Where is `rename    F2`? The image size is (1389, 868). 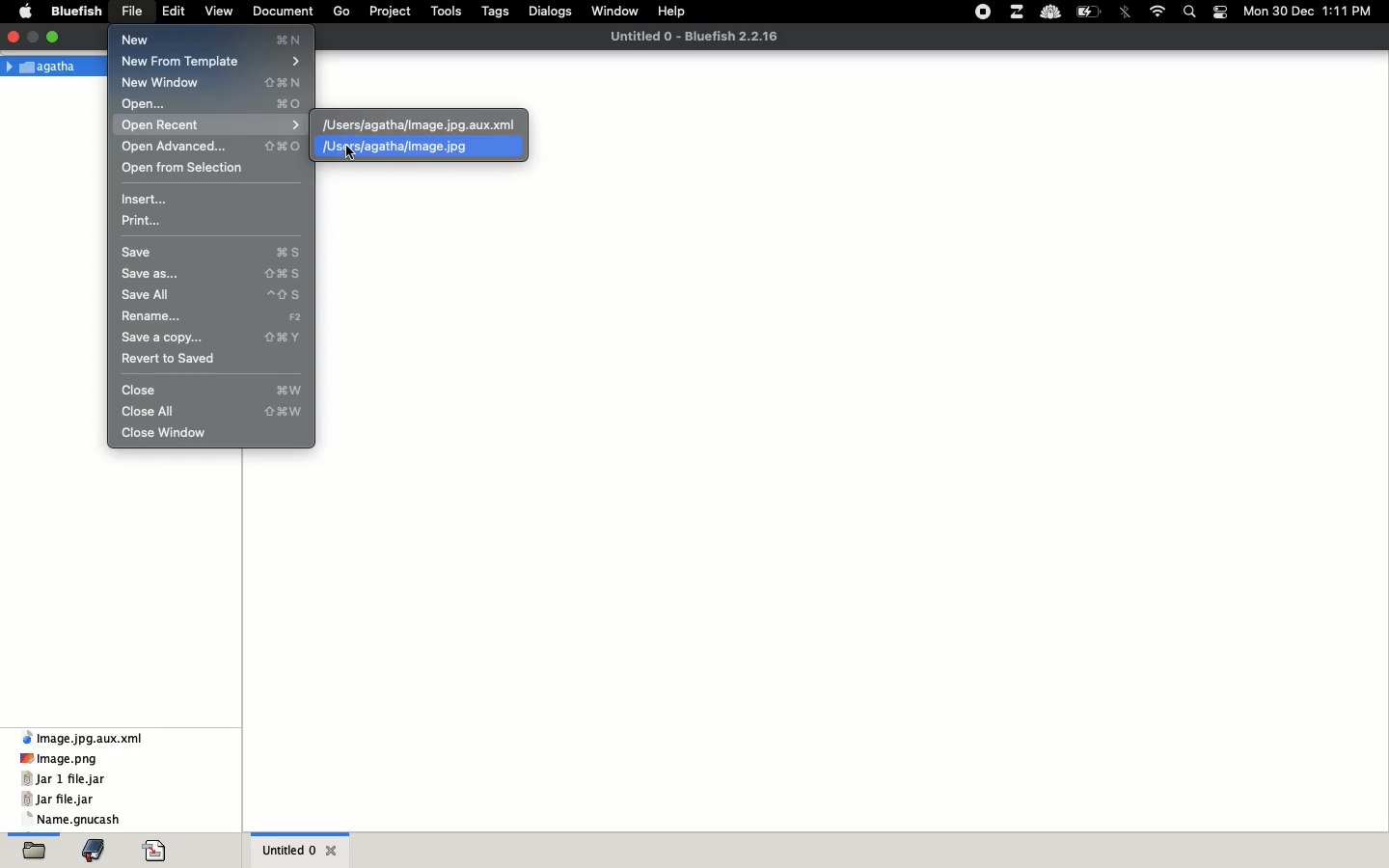
rename    F2 is located at coordinates (213, 317).